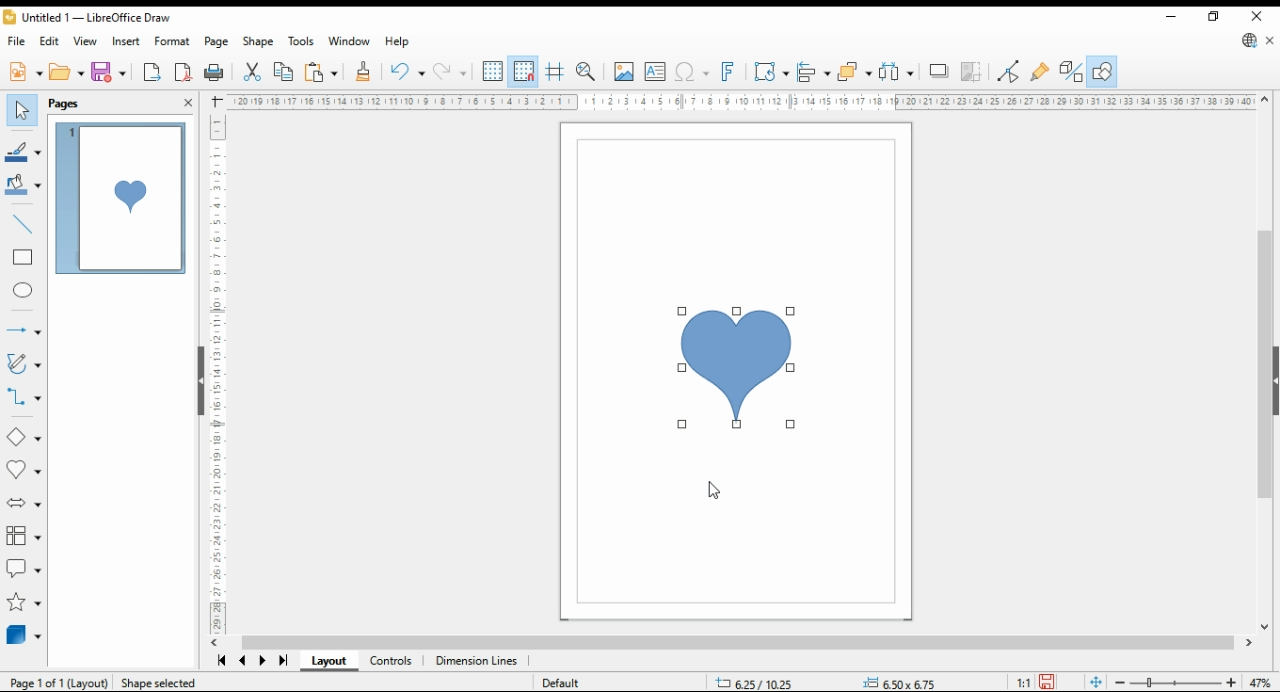 The image size is (1280, 692). I want to click on insert fontworks text, so click(730, 72).